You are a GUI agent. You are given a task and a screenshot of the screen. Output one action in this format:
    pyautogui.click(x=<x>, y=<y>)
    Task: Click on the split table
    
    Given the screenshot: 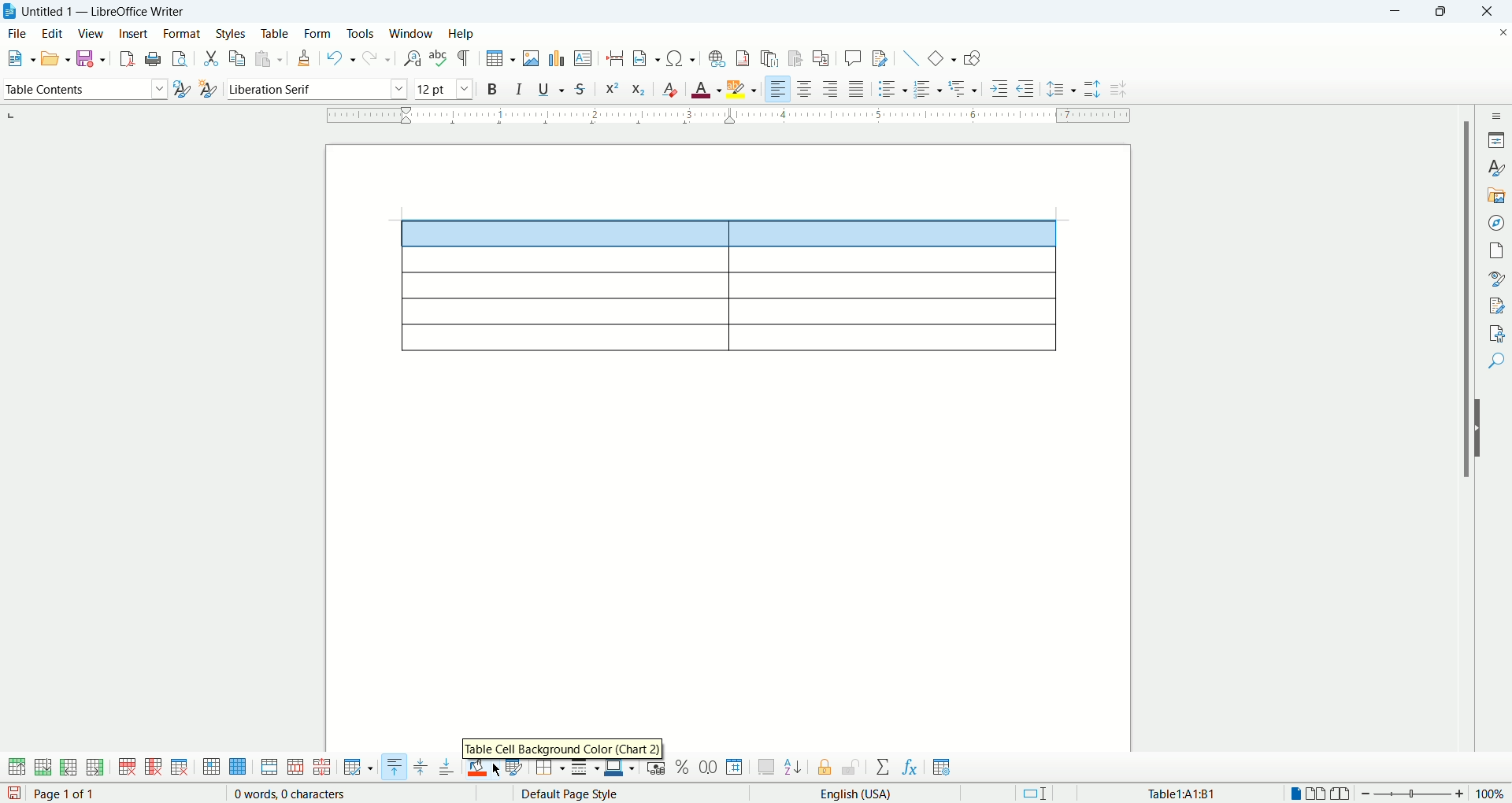 What is the action you would take?
    pyautogui.click(x=321, y=768)
    